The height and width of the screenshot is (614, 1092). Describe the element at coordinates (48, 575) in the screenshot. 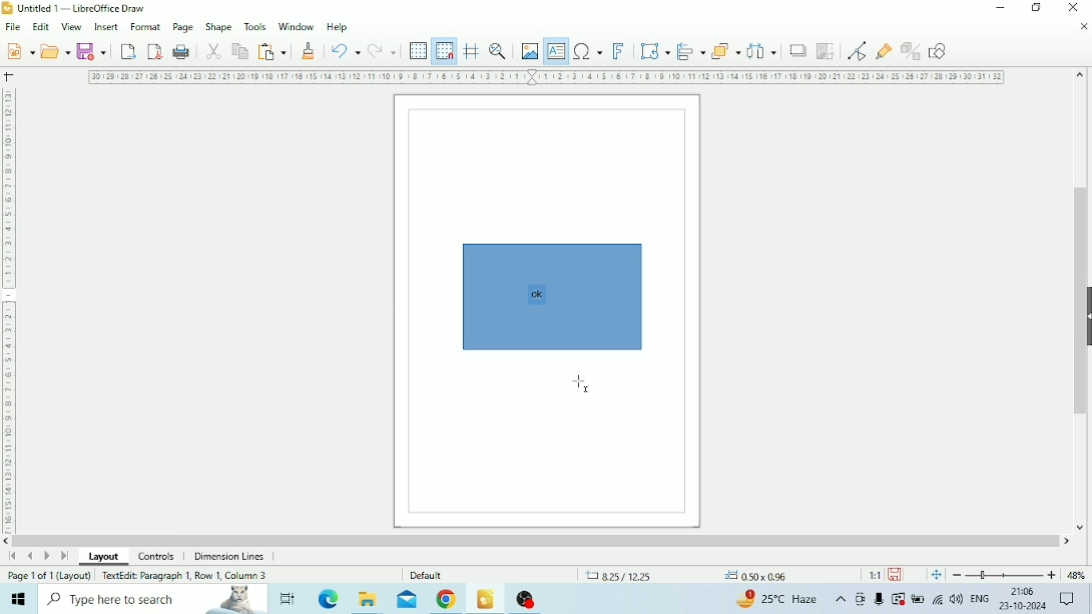

I see `Page 1 of 1 (Layout)` at that location.